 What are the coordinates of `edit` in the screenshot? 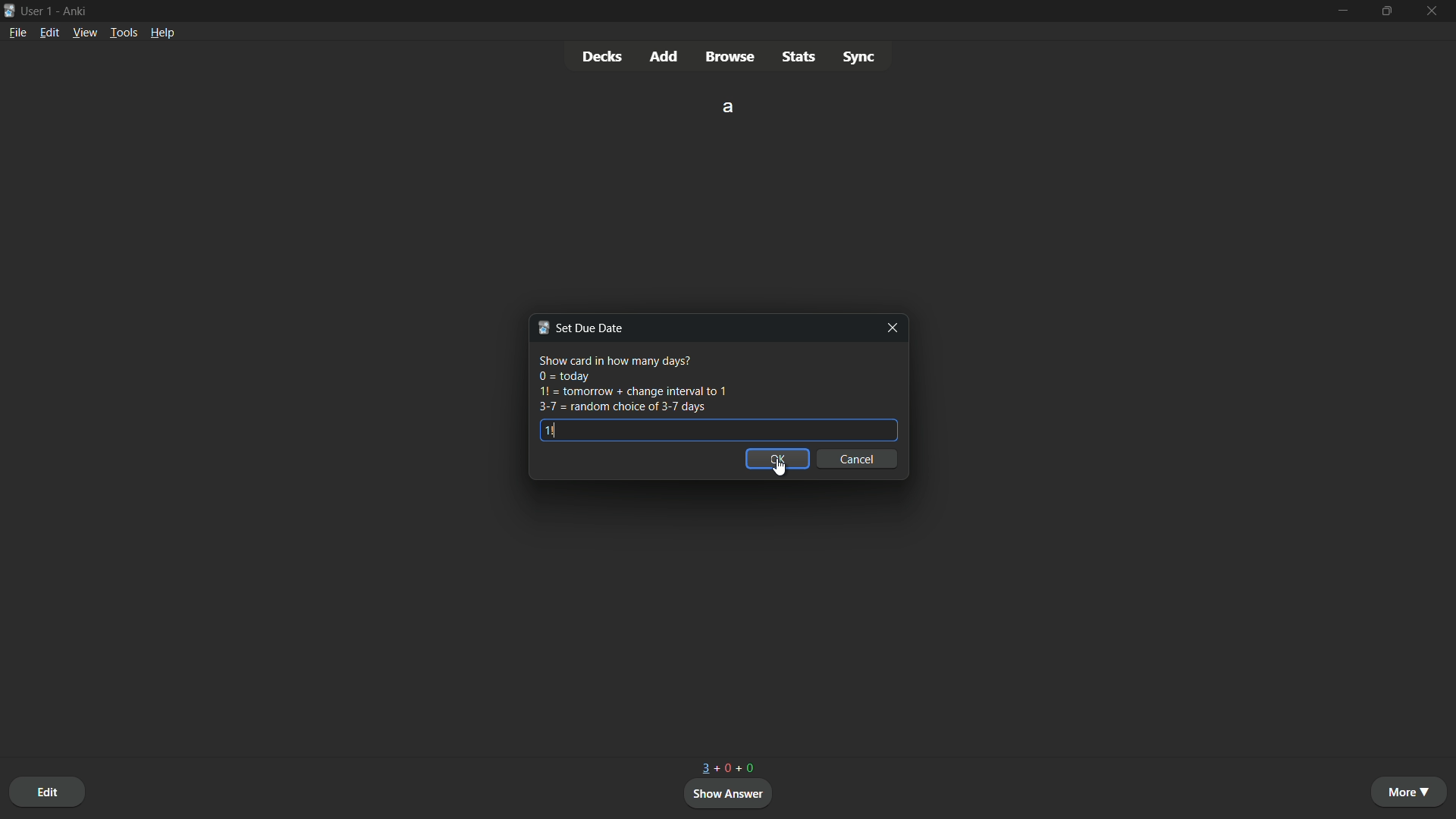 It's located at (47, 792).